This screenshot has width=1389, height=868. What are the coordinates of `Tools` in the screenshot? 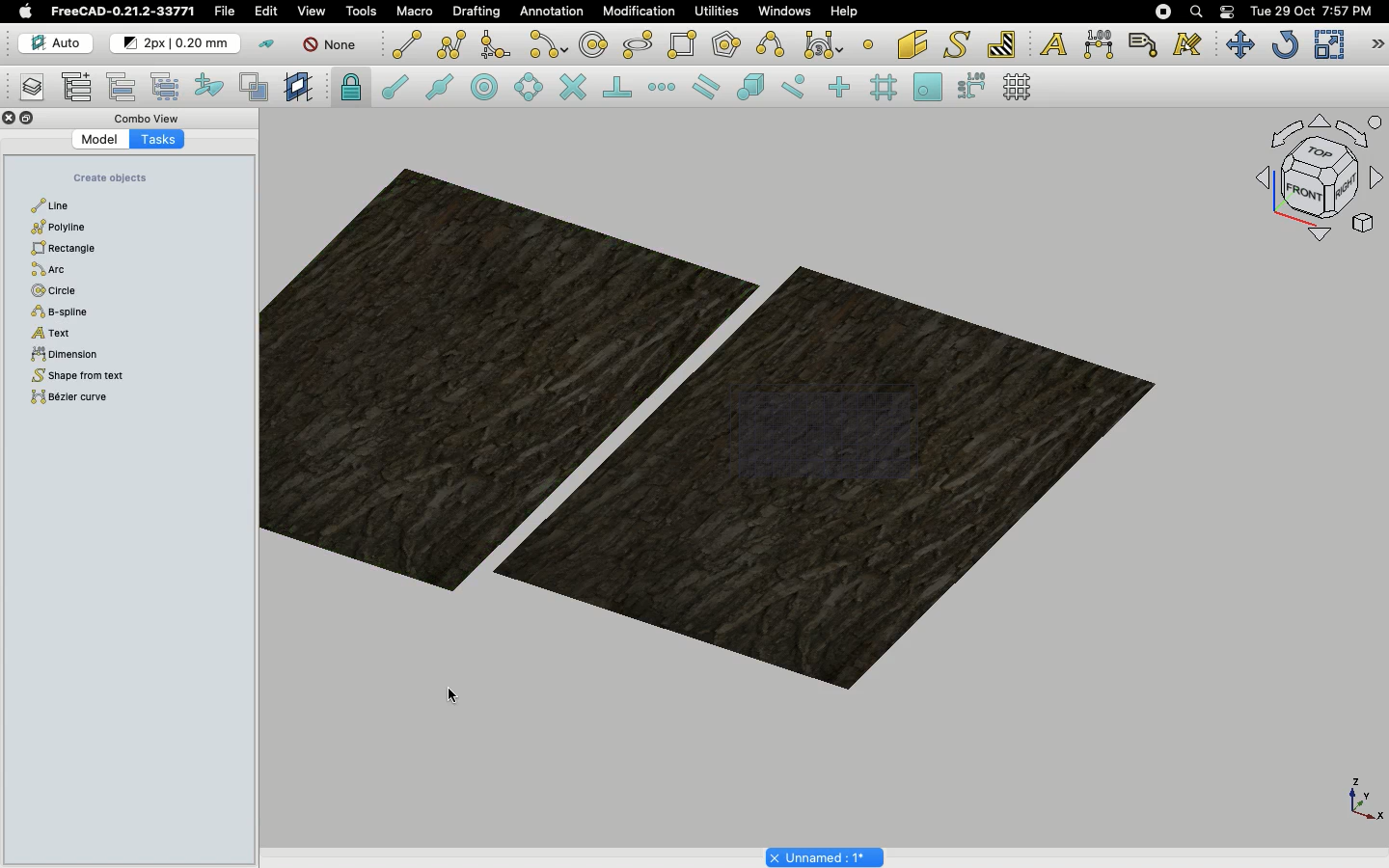 It's located at (361, 12).